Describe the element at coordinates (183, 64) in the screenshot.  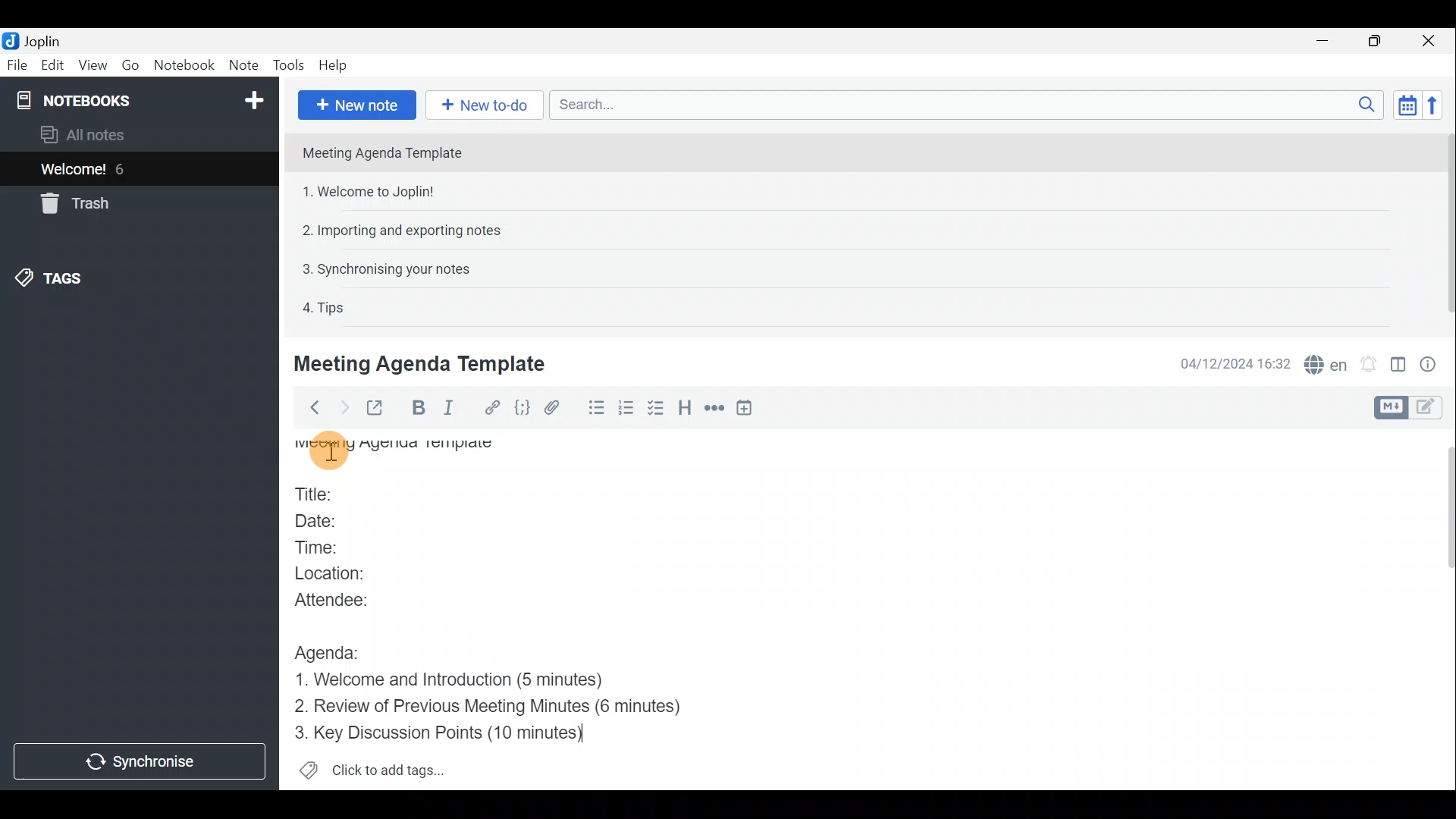
I see `Notebook` at that location.